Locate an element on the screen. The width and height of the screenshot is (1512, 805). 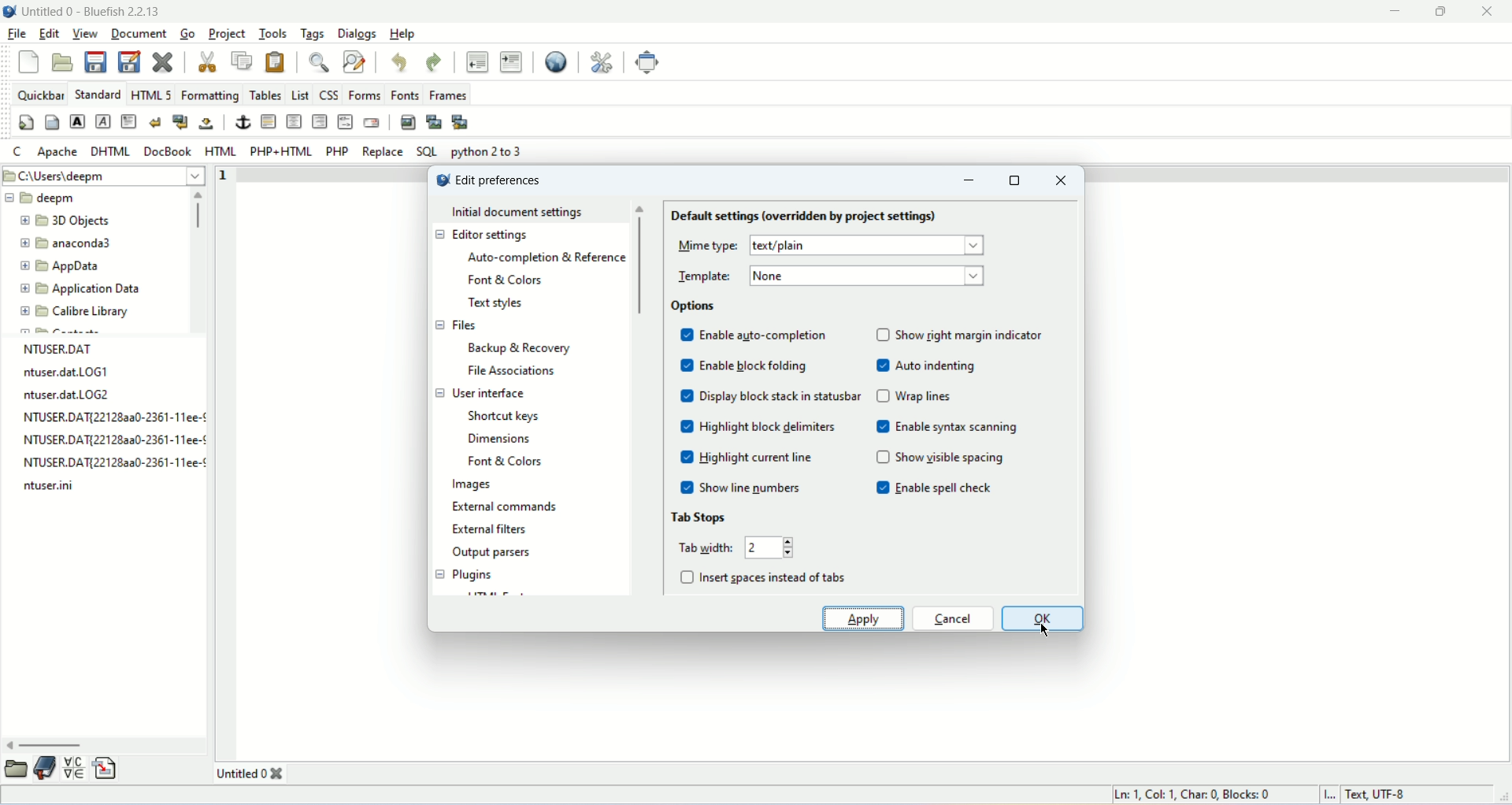
editor settings is located at coordinates (480, 235).